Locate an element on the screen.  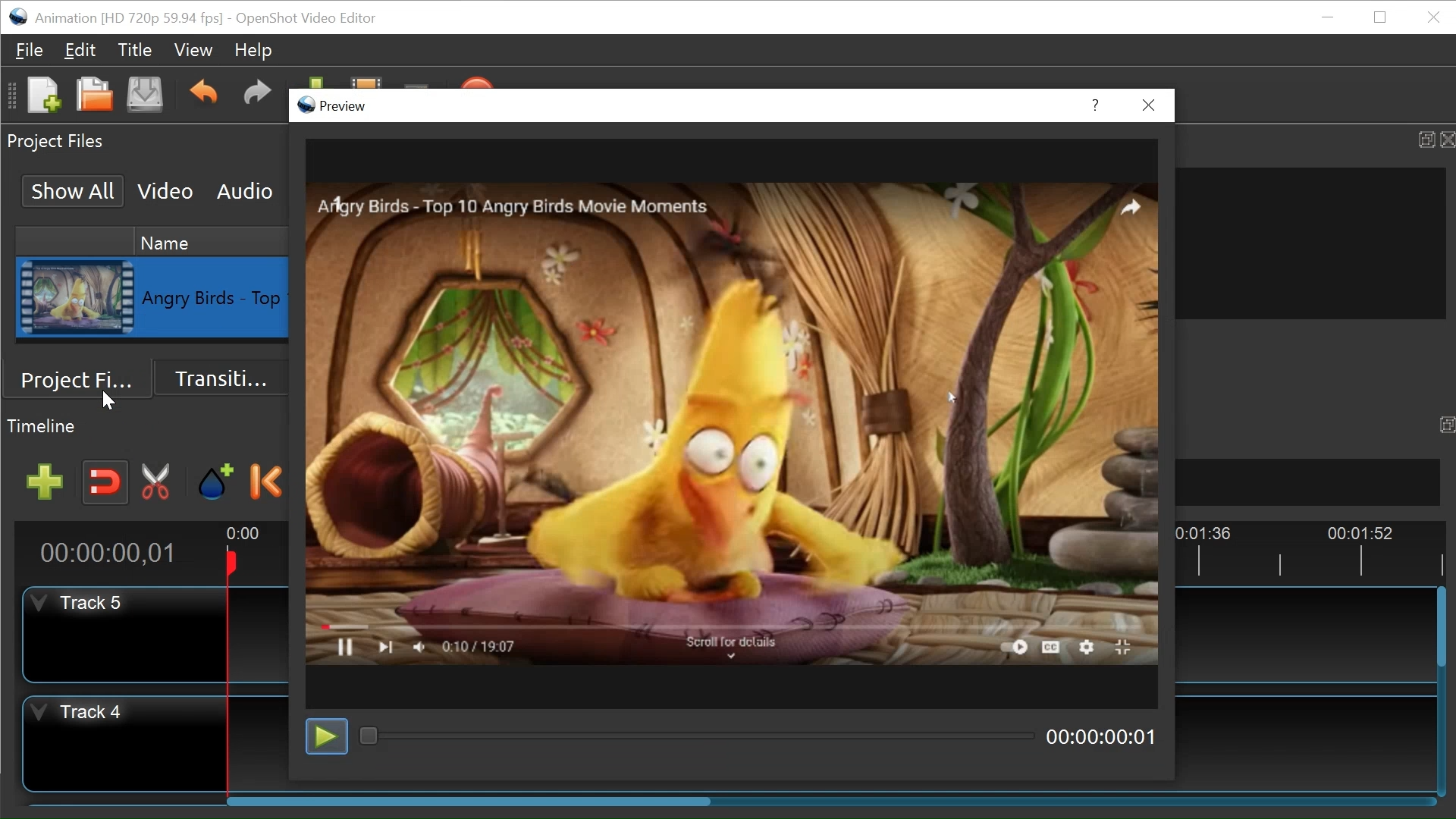
Help is located at coordinates (249, 52).